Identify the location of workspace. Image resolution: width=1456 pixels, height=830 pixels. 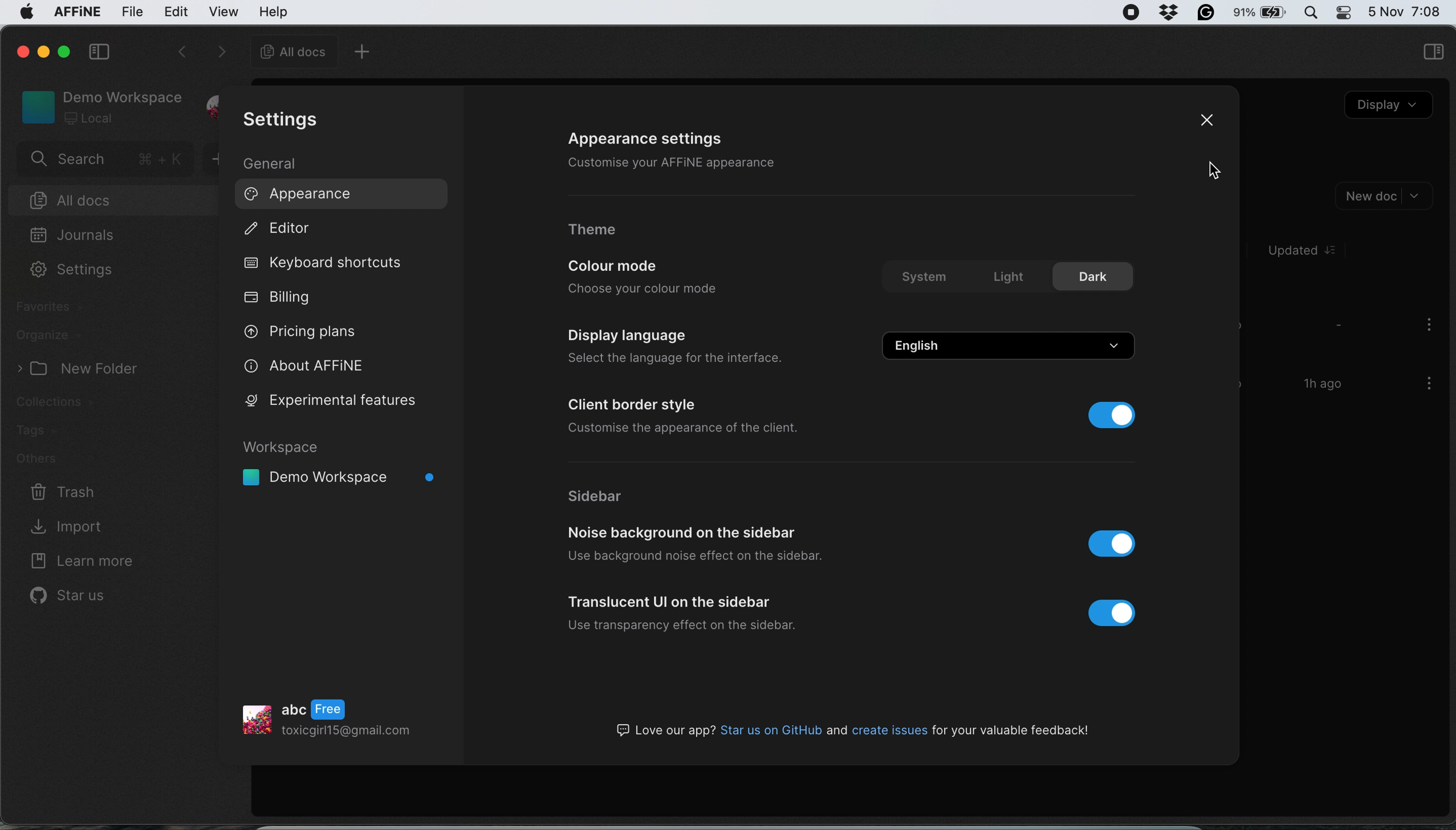
(100, 107).